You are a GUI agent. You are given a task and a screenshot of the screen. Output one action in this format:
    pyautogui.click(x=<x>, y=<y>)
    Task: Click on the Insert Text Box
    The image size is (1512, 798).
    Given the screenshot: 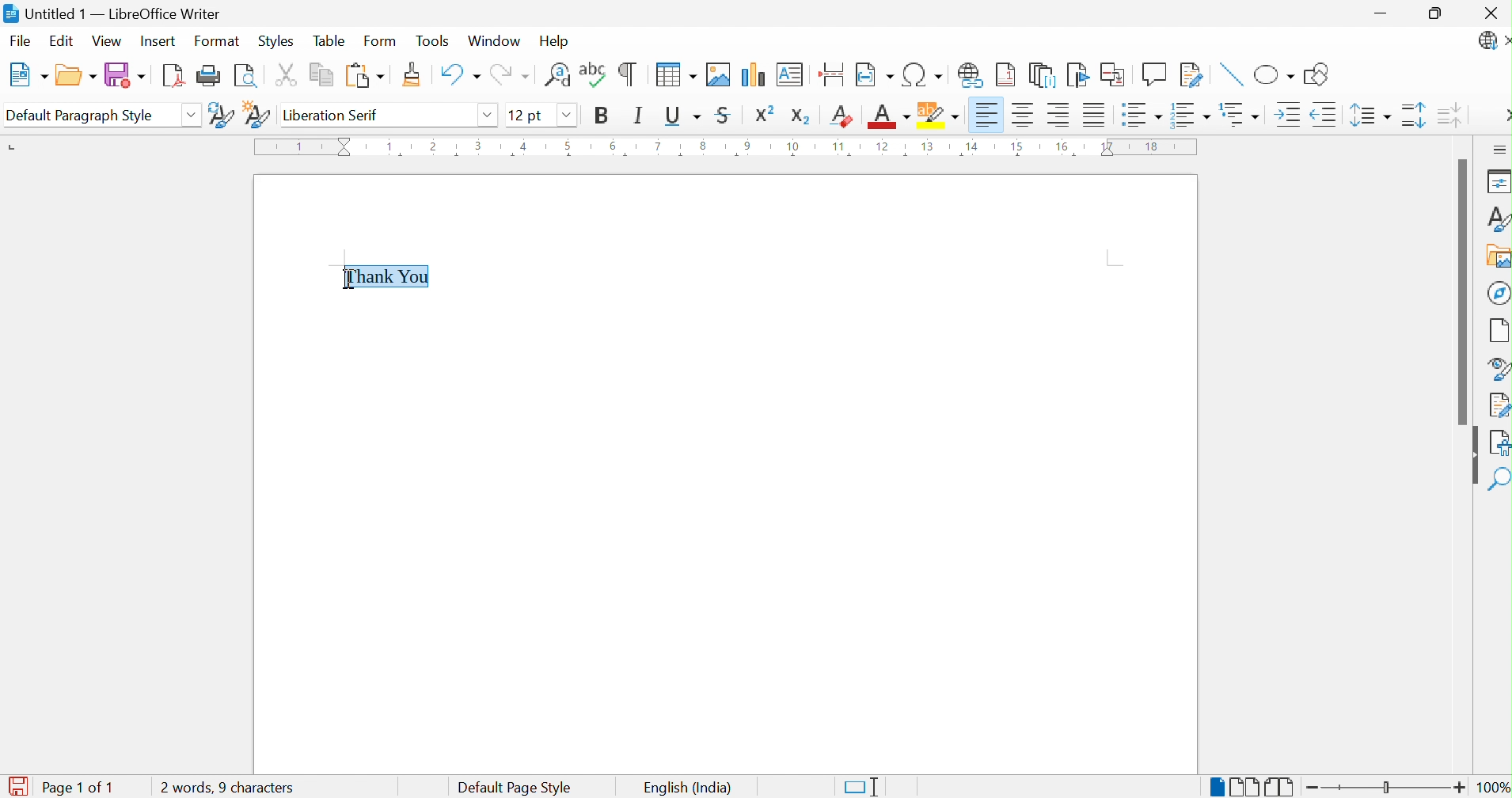 What is the action you would take?
    pyautogui.click(x=787, y=75)
    